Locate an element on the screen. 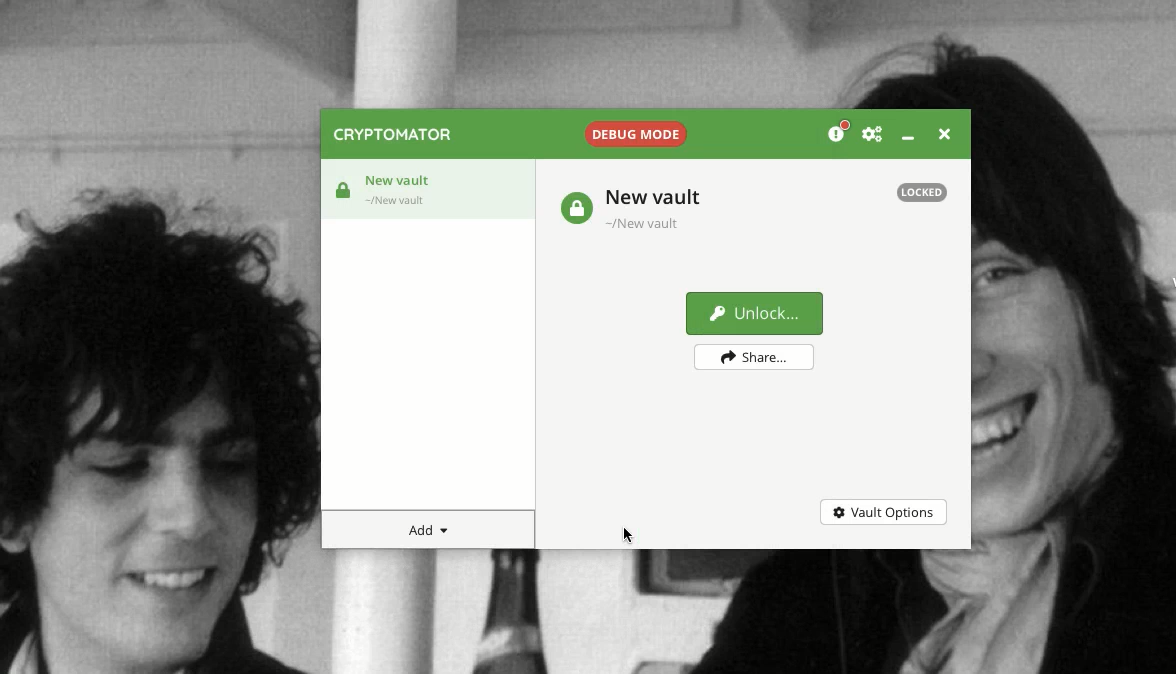  Add menu is located at coordinates (429, 530).